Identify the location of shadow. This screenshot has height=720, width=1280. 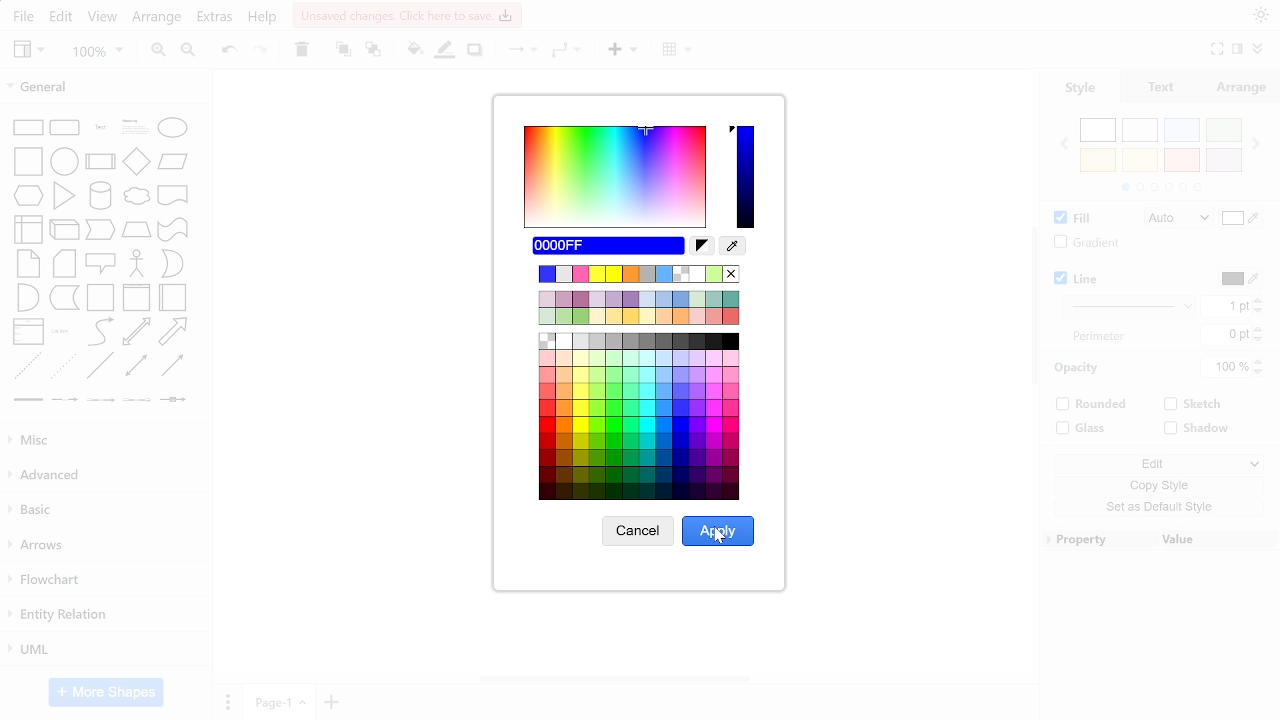
(475, 52).